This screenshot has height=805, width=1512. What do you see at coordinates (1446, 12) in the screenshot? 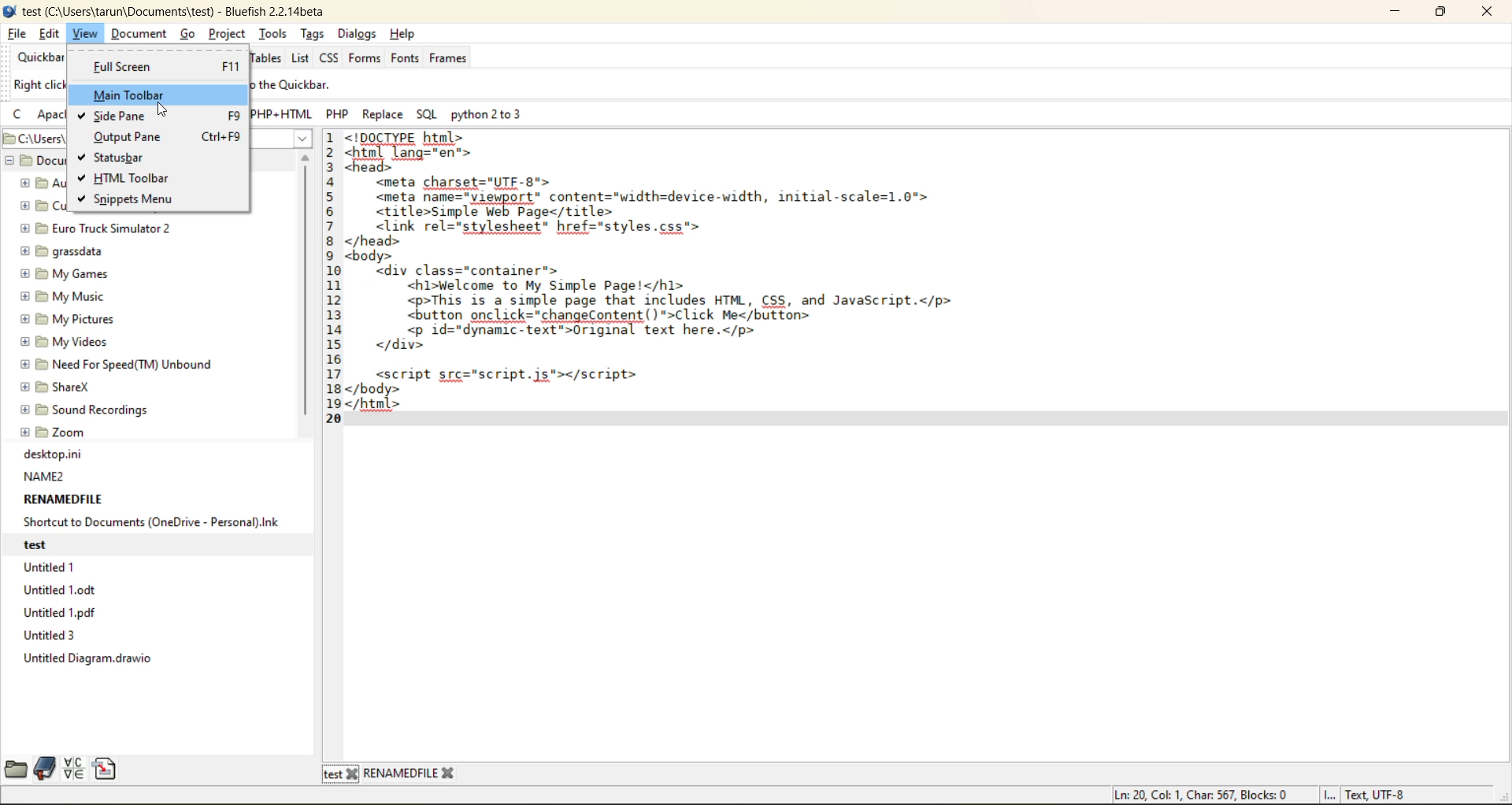
I see `maximize` at bounding box center [1446, 12].